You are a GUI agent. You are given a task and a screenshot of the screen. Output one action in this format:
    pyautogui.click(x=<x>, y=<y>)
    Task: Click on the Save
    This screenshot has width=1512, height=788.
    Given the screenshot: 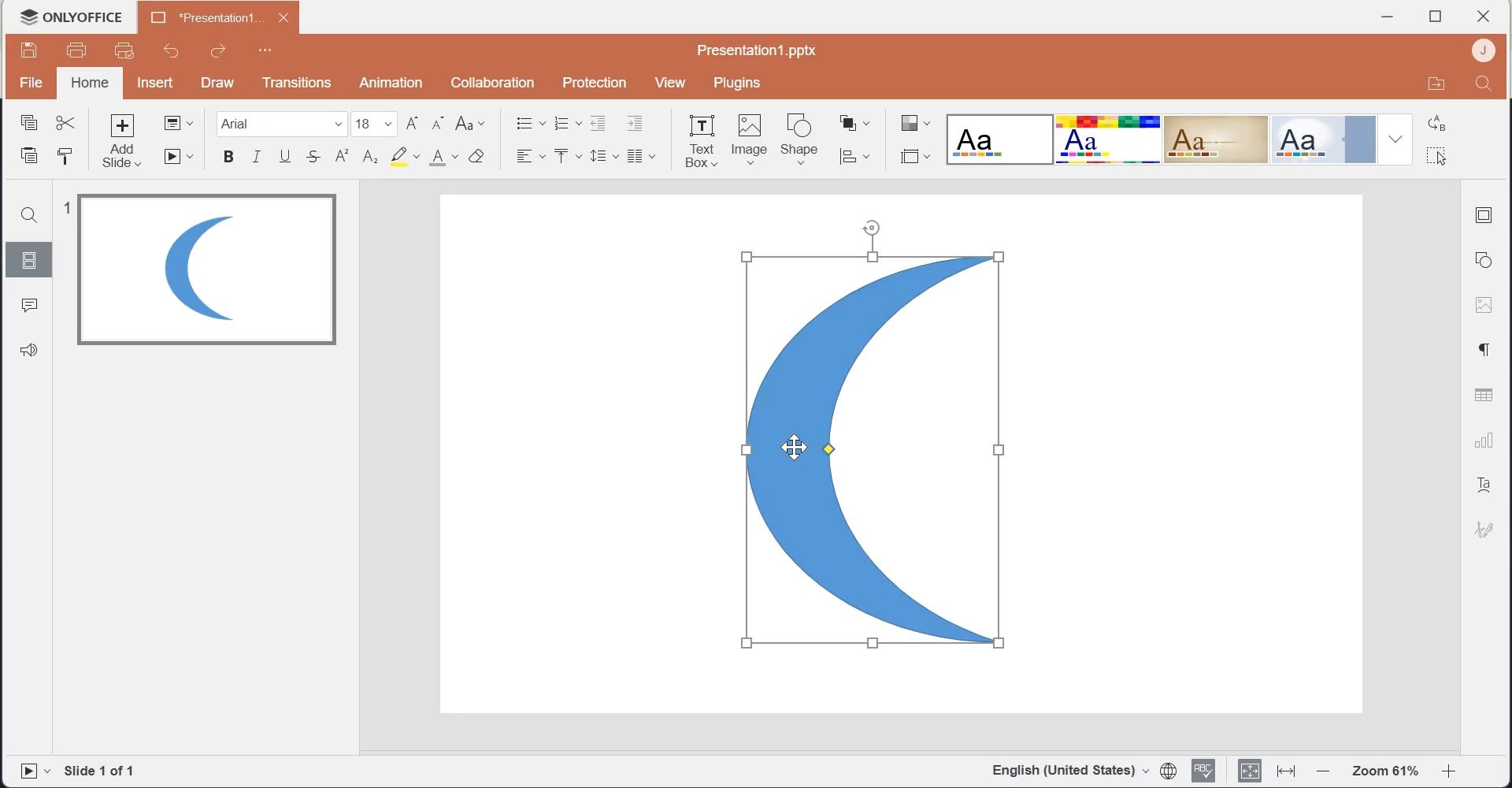 What is the action you would take?
    pyautogui.click(x=32, y=50)
    